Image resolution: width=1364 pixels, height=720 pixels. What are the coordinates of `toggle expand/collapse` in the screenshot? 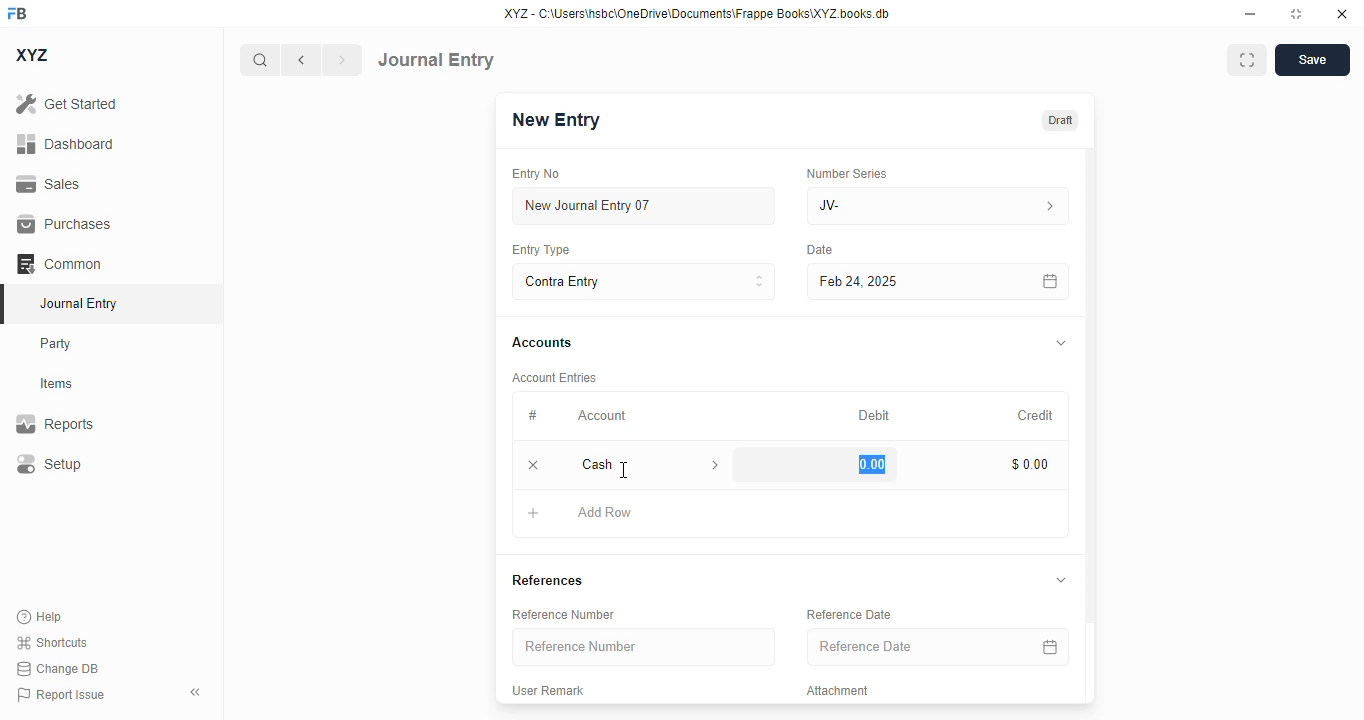 It's located at (1062, 342).